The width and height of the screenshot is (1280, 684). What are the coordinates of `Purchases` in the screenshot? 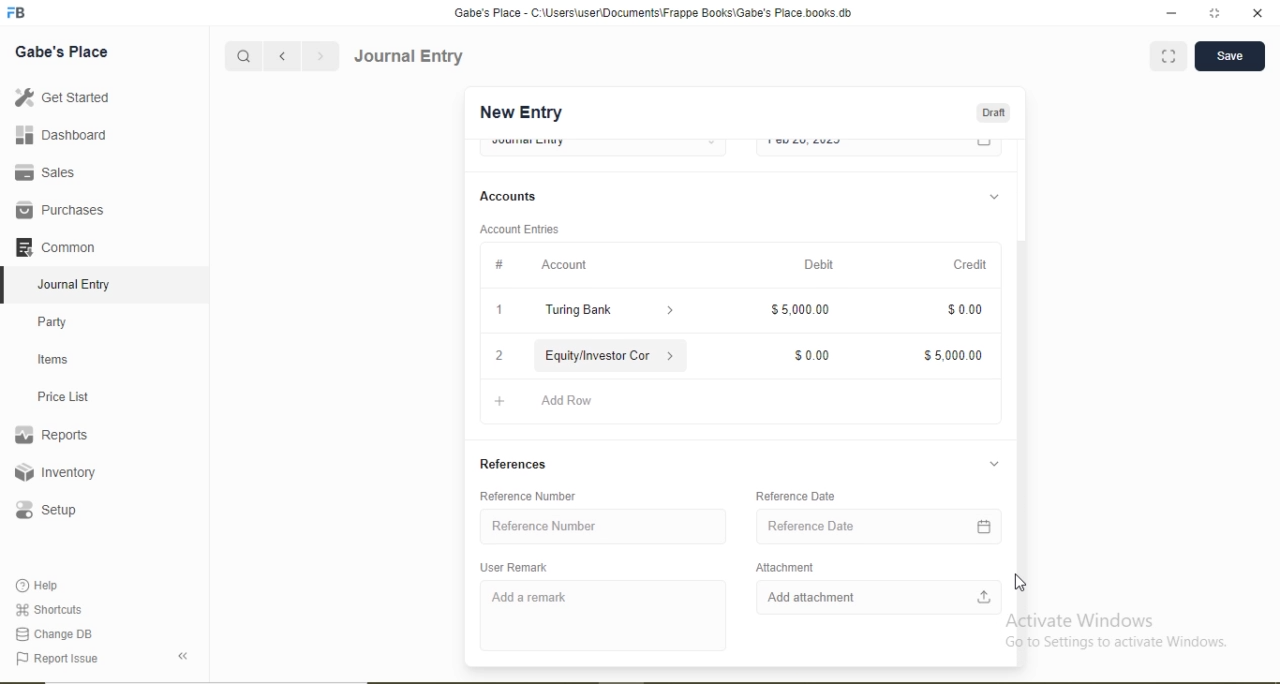 It's located at (59, 210).